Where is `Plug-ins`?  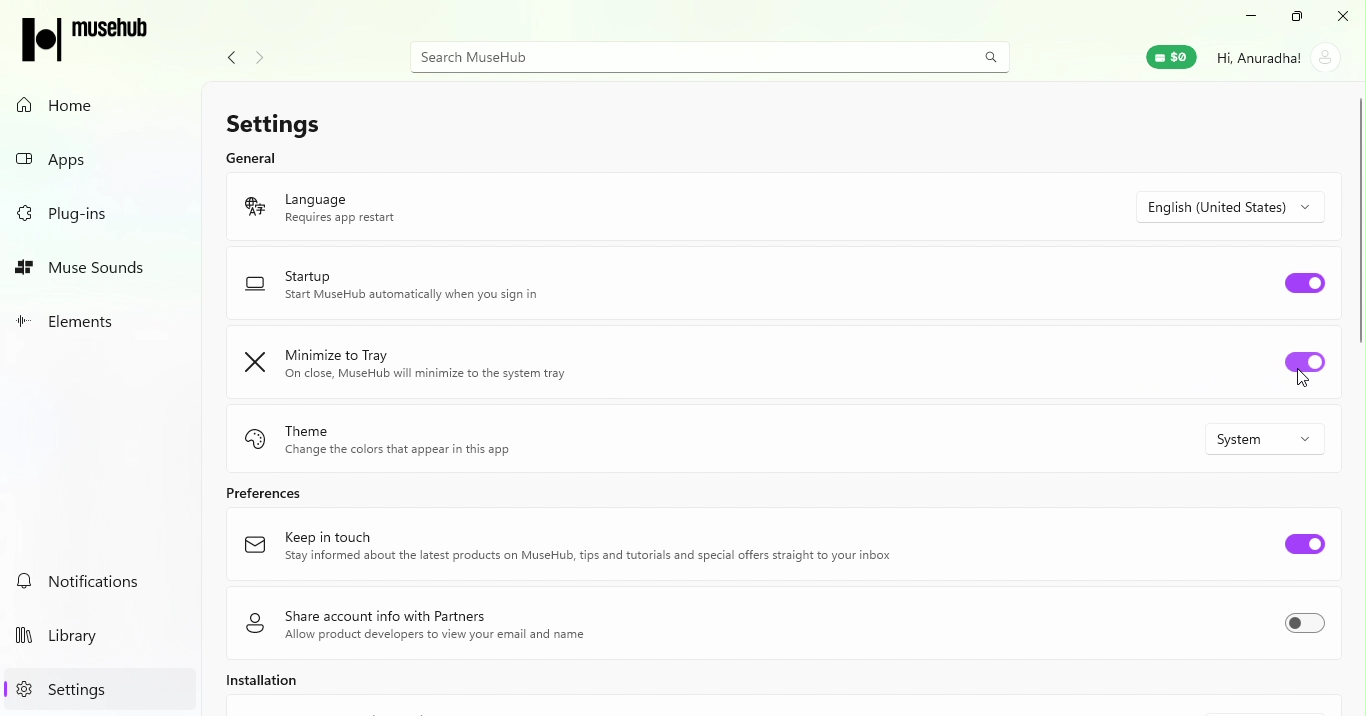 Plug-ins is located at coordinates (84, 218).